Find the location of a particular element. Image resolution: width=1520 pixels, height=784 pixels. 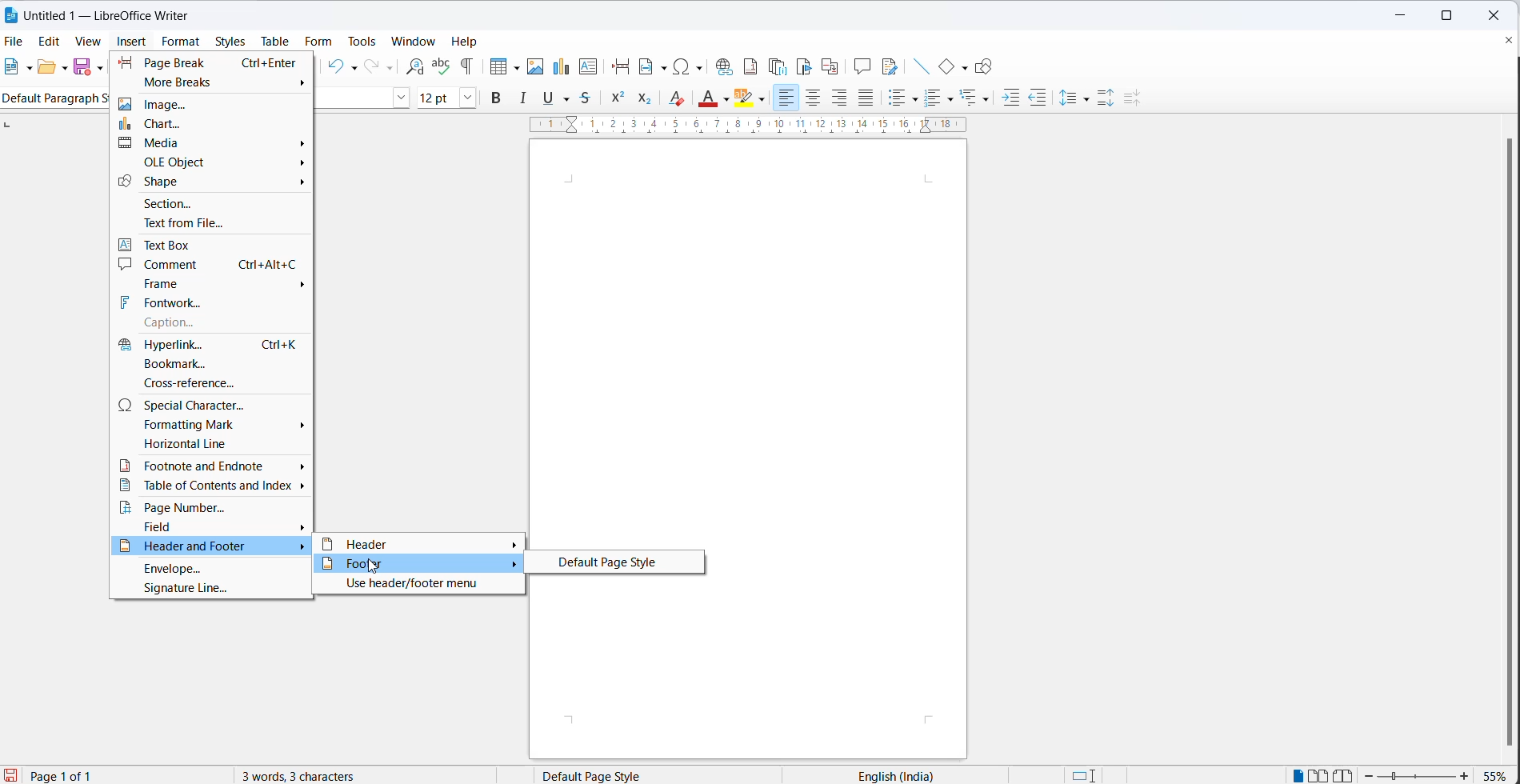

field is located at coordinates (214, 526).